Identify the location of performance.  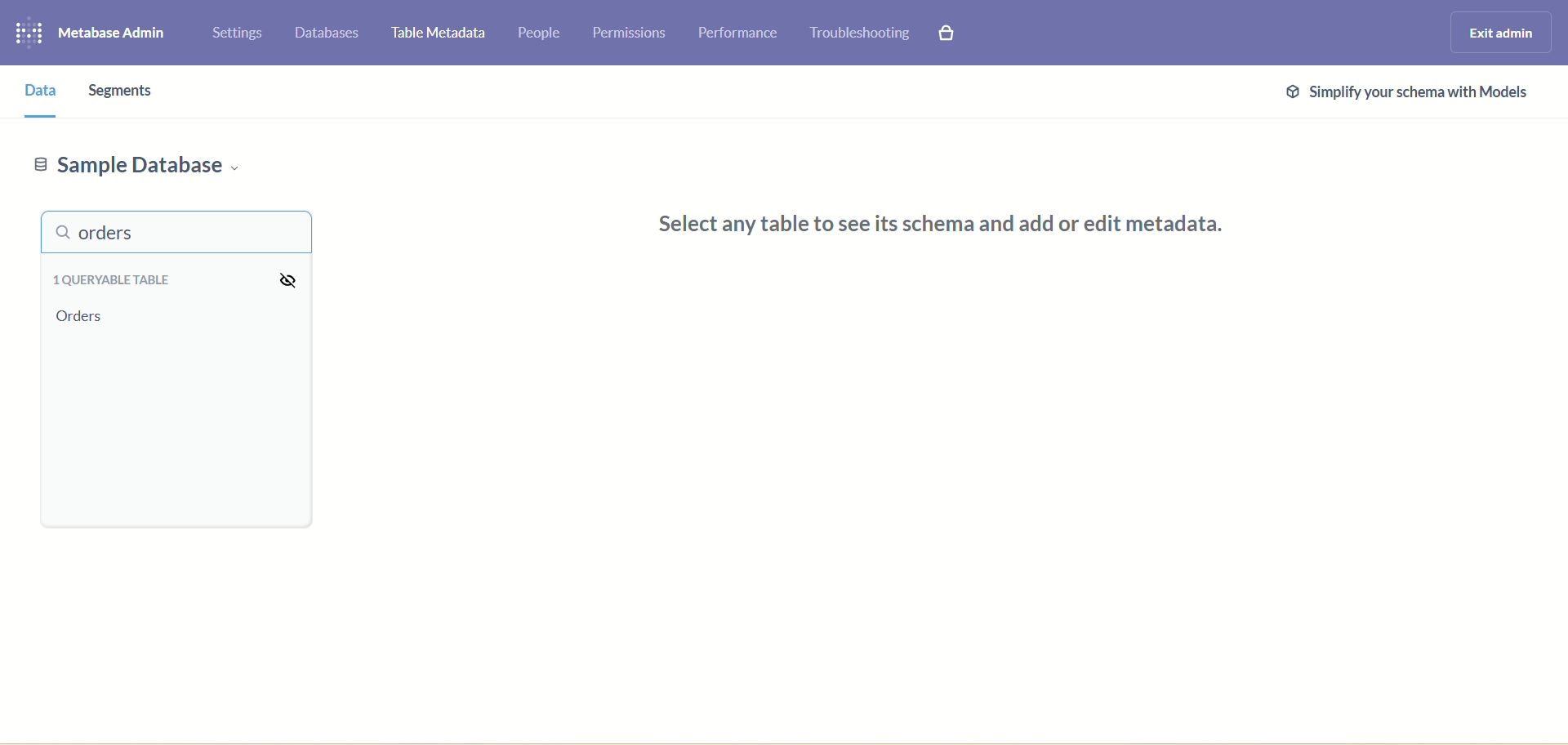
(741, 34).